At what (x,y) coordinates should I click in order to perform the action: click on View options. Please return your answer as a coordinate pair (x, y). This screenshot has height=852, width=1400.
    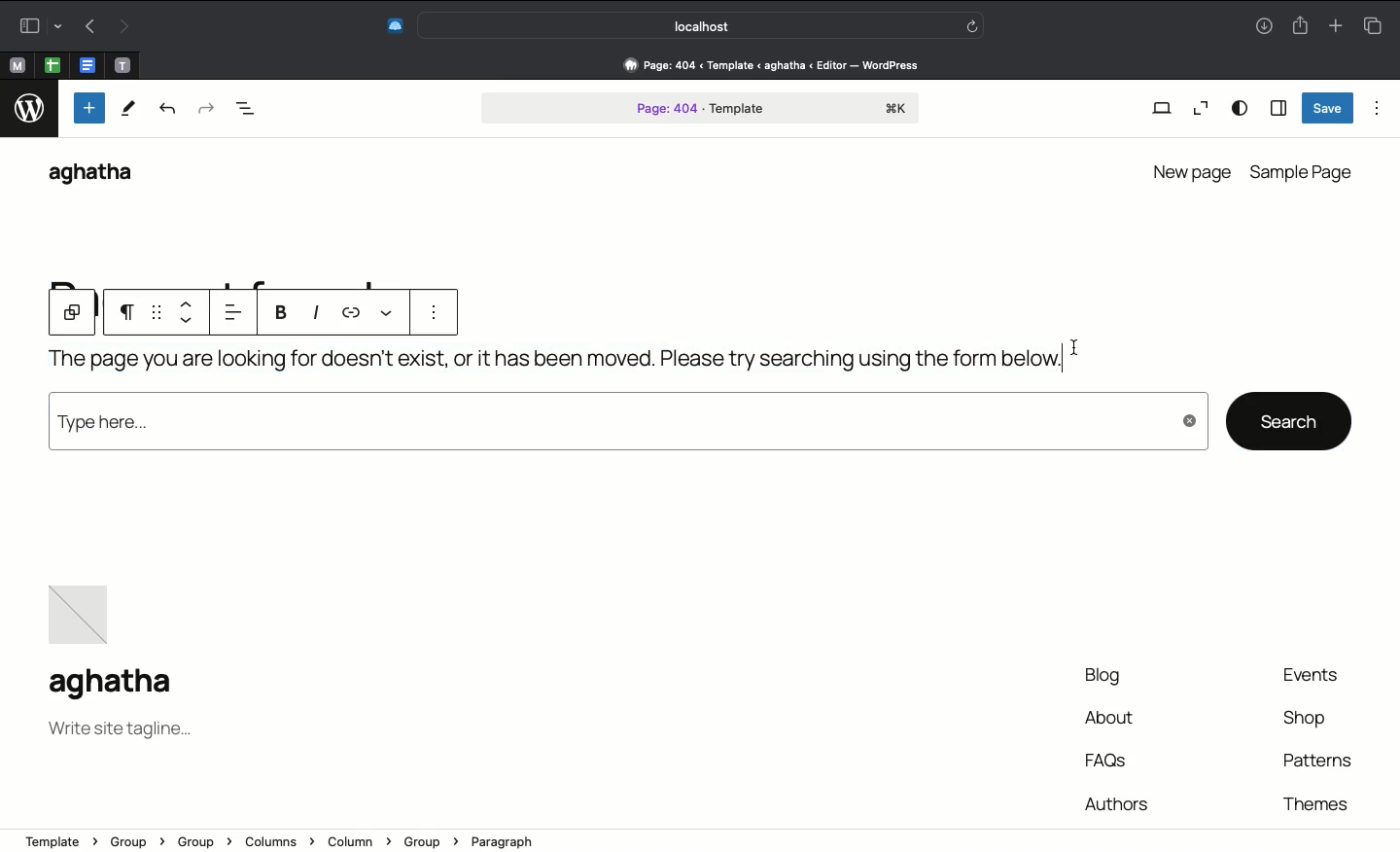
    Looking at the image, I should click on (1241, 109).